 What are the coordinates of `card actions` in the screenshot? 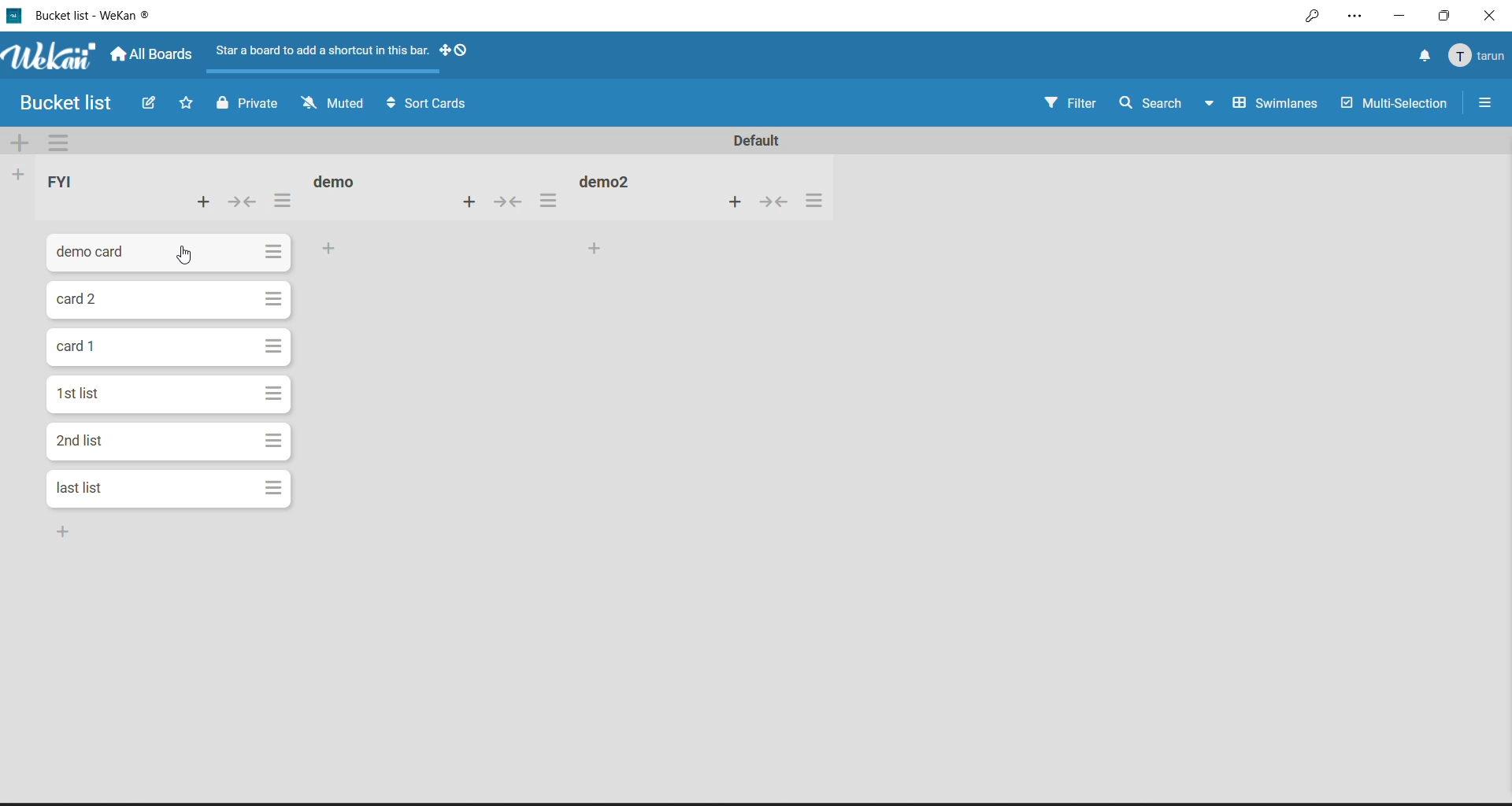 It's located at (275, 299).